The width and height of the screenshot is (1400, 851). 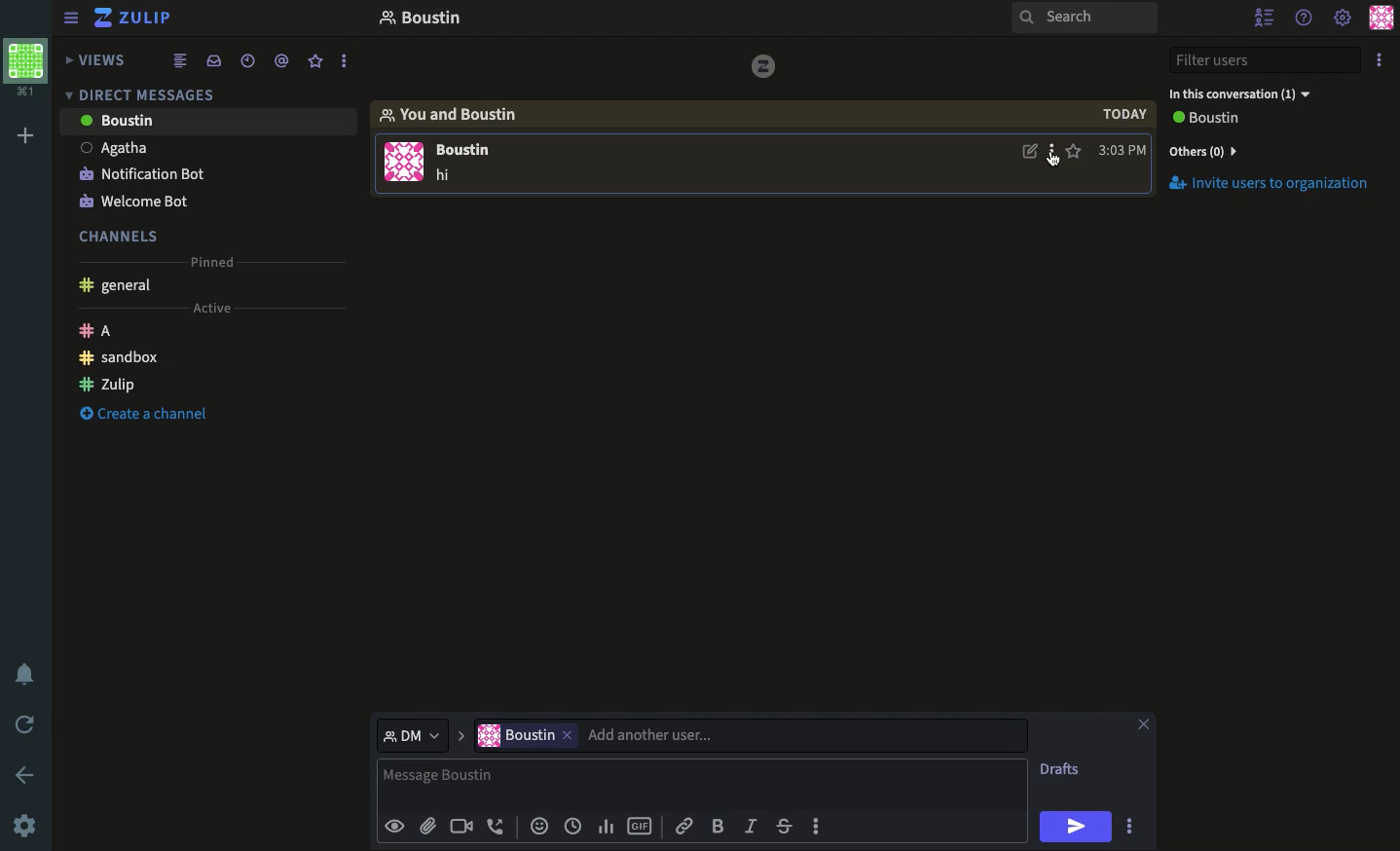 What do you see at coordinates (1084, 19) in the screenshot?
I see `Search` at bounding box center [1084, 19].